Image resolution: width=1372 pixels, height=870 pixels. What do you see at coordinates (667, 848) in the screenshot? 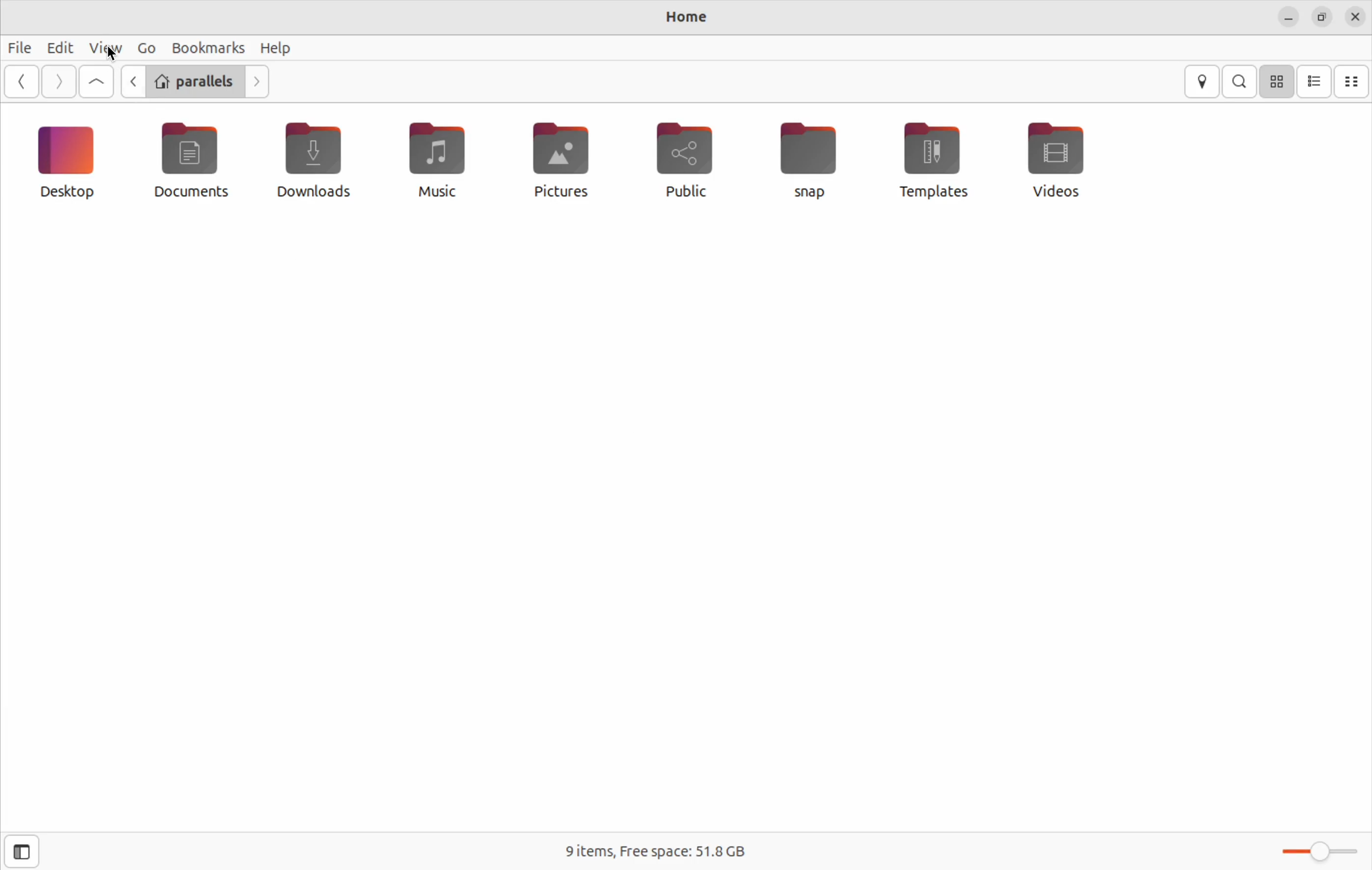
I see `free spaces` at bounding box center [667, 848].